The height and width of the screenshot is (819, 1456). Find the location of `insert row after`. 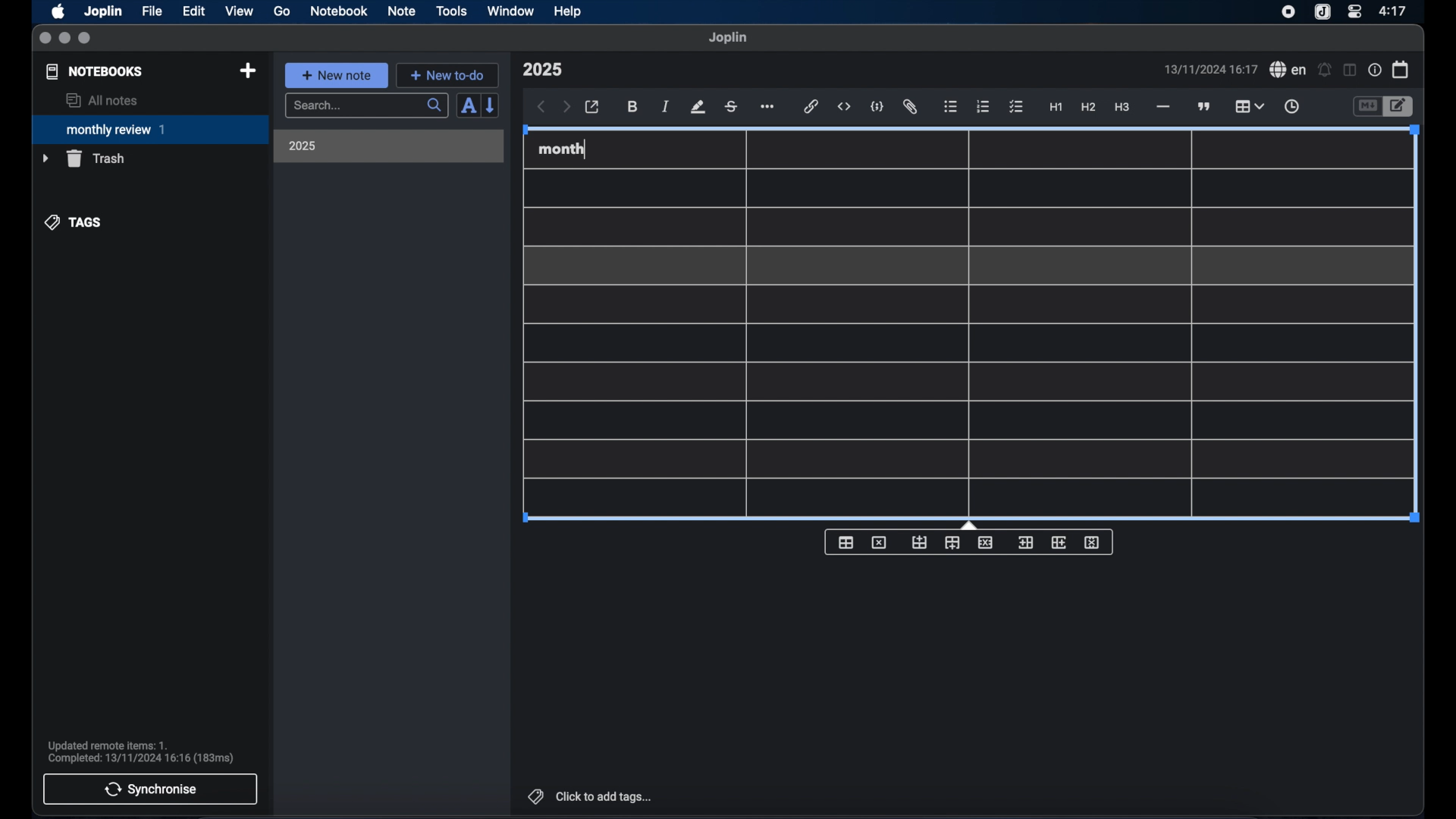

insert row after is located at coordinates (952, 543).